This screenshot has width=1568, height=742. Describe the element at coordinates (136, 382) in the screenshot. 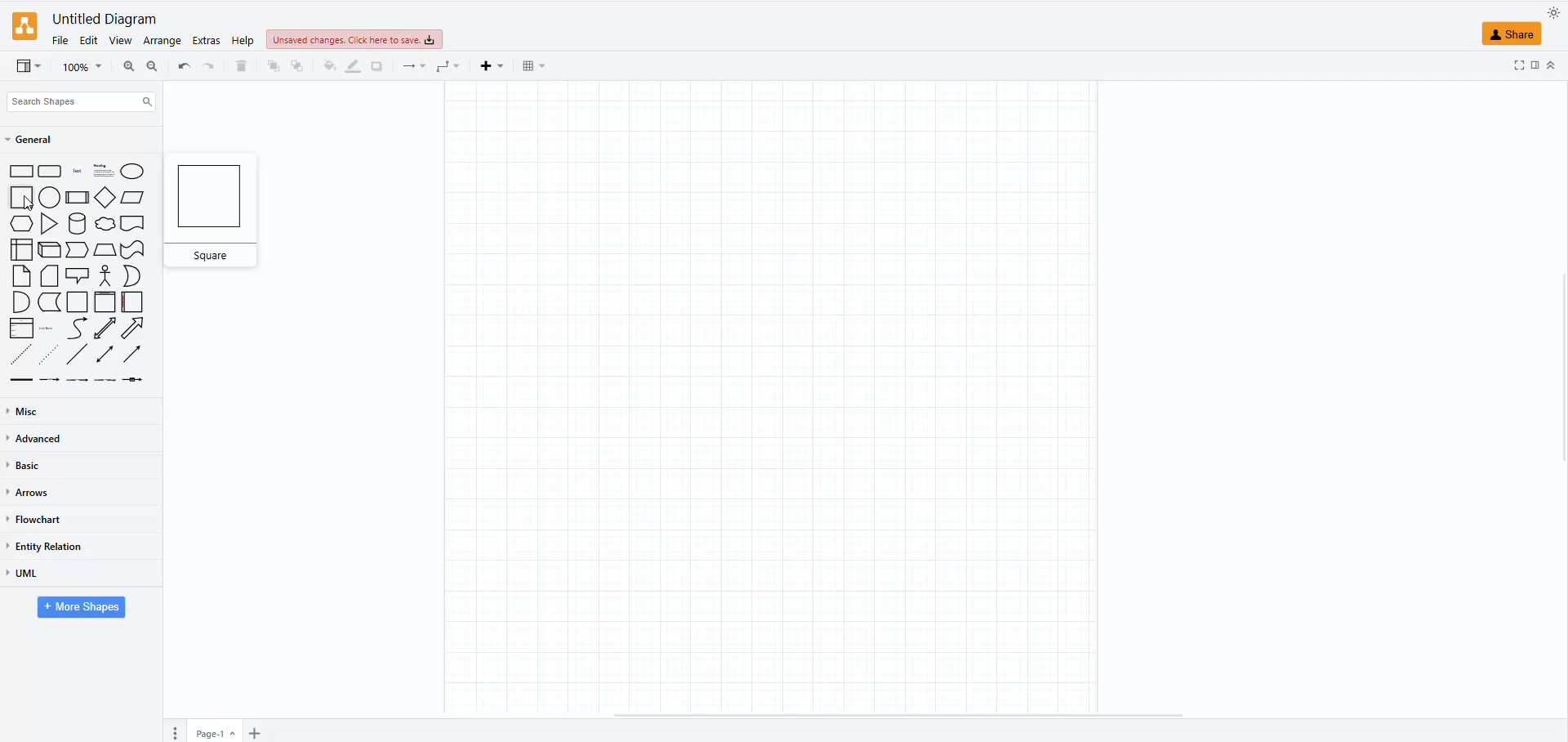

I see `connector with symbol` at that location.